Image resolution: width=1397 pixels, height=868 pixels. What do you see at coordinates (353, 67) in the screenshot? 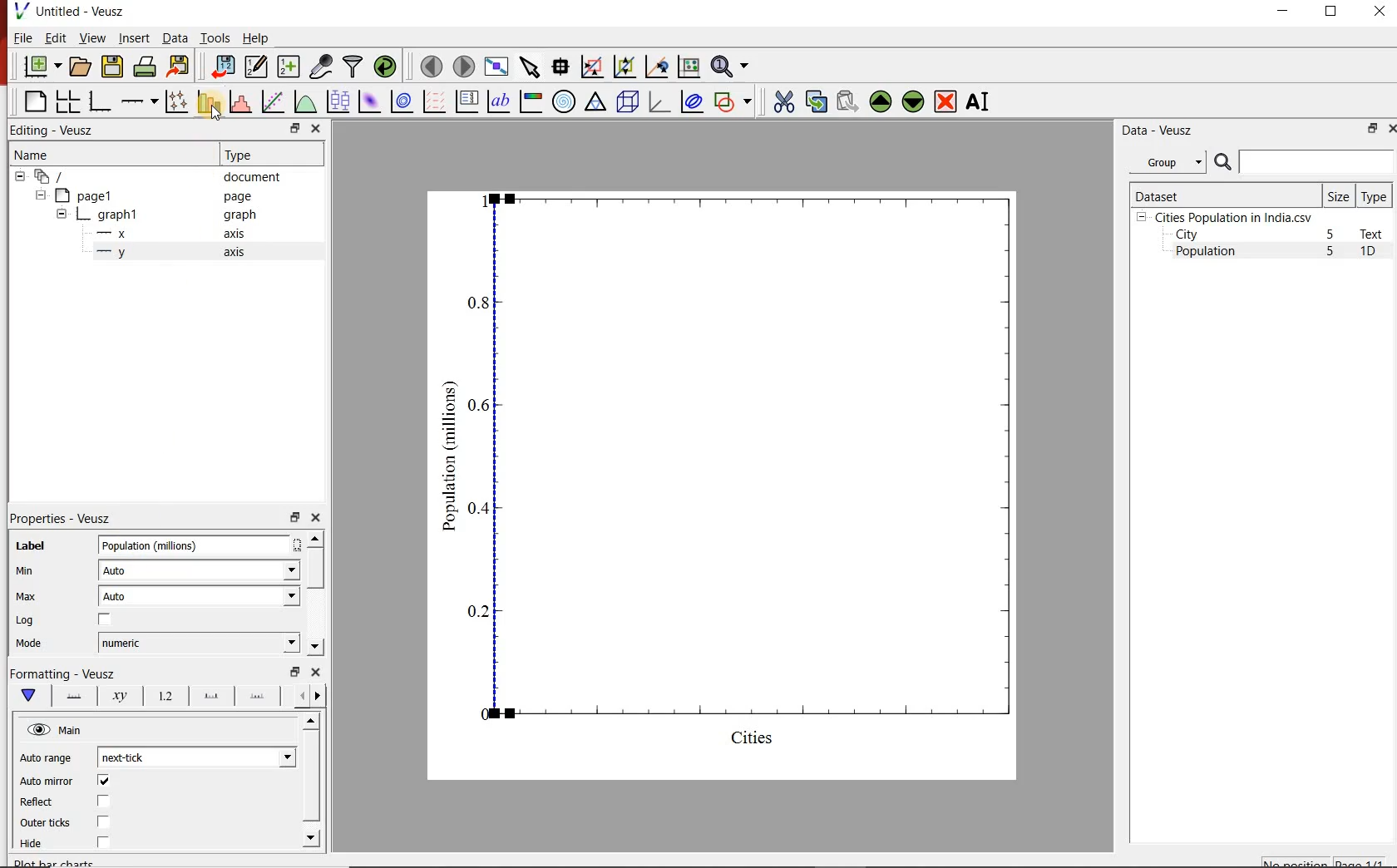
I see `filter data` at bounding box center [353, 67].